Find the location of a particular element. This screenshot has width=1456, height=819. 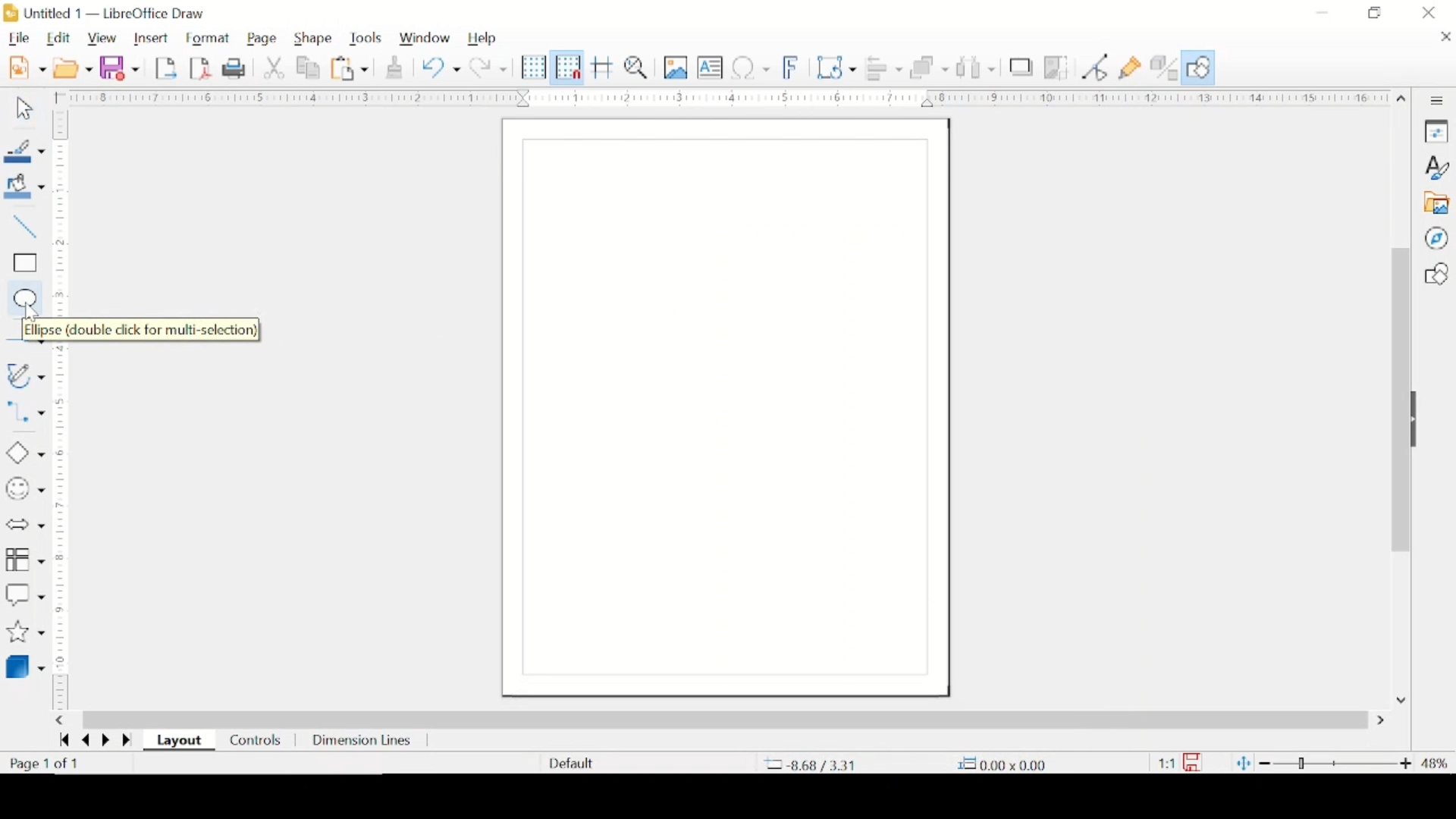

close is located at coordinates (1445, 38).